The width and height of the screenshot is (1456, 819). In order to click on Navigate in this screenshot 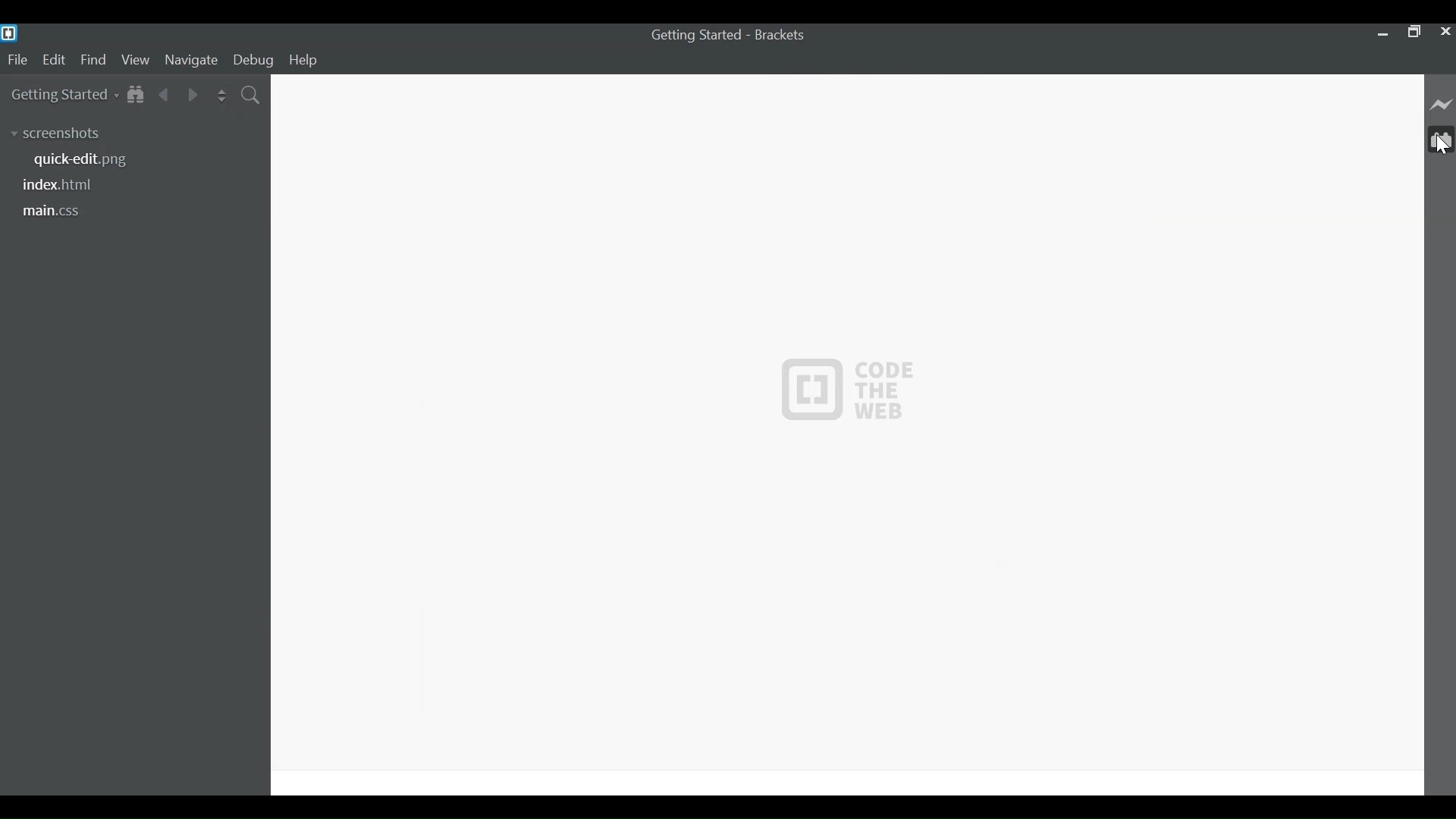, I will do `click(190, 61)`.